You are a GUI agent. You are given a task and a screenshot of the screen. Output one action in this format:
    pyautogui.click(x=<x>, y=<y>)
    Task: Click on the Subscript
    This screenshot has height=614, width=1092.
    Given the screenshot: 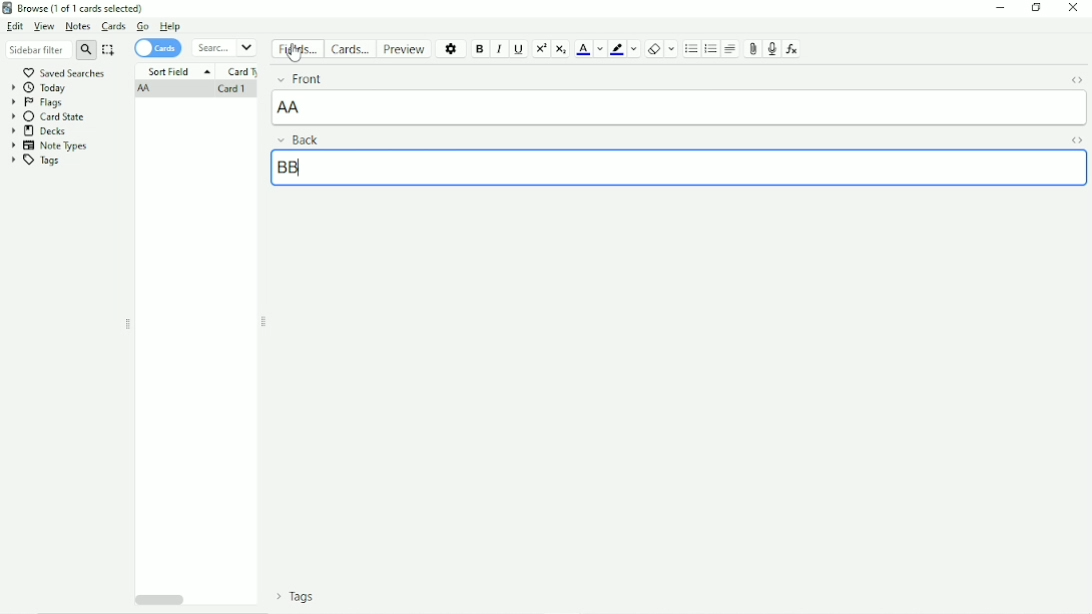 What is the action you would take?
    pyautogui.click(x=561, y=49)
    